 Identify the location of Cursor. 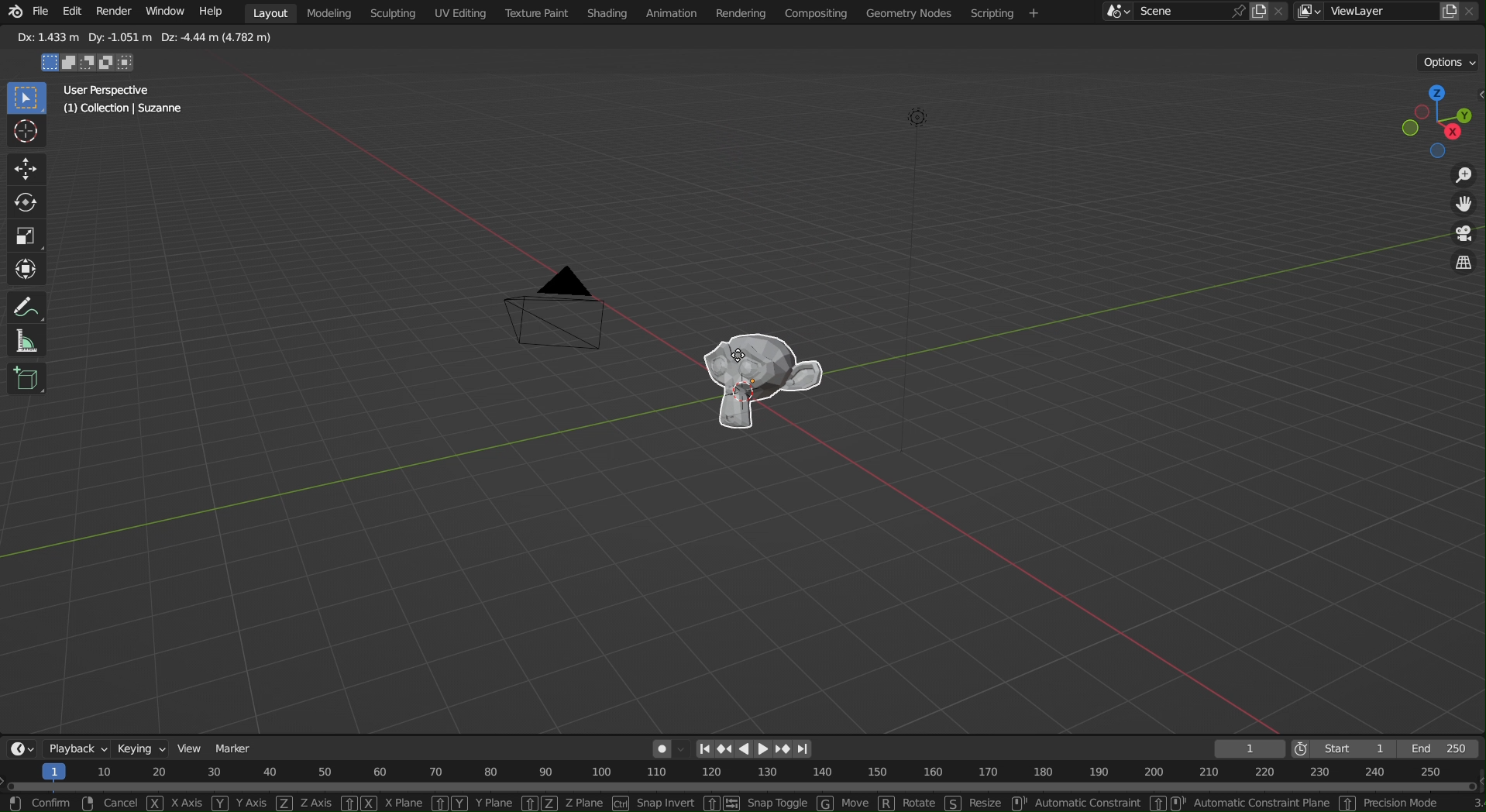
(26, 132).